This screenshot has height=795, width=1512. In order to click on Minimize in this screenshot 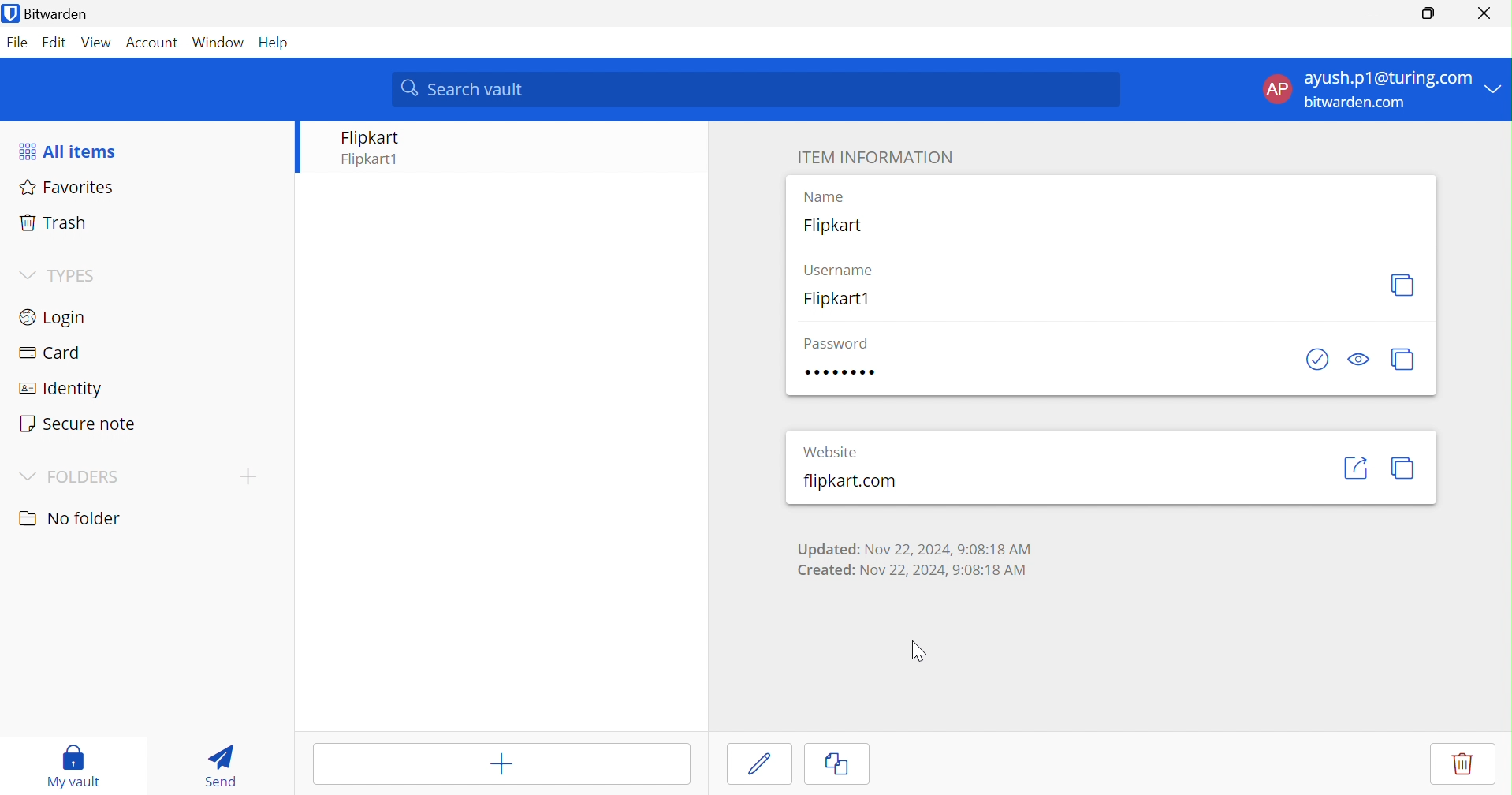, I will do `click(1371, 13)`.